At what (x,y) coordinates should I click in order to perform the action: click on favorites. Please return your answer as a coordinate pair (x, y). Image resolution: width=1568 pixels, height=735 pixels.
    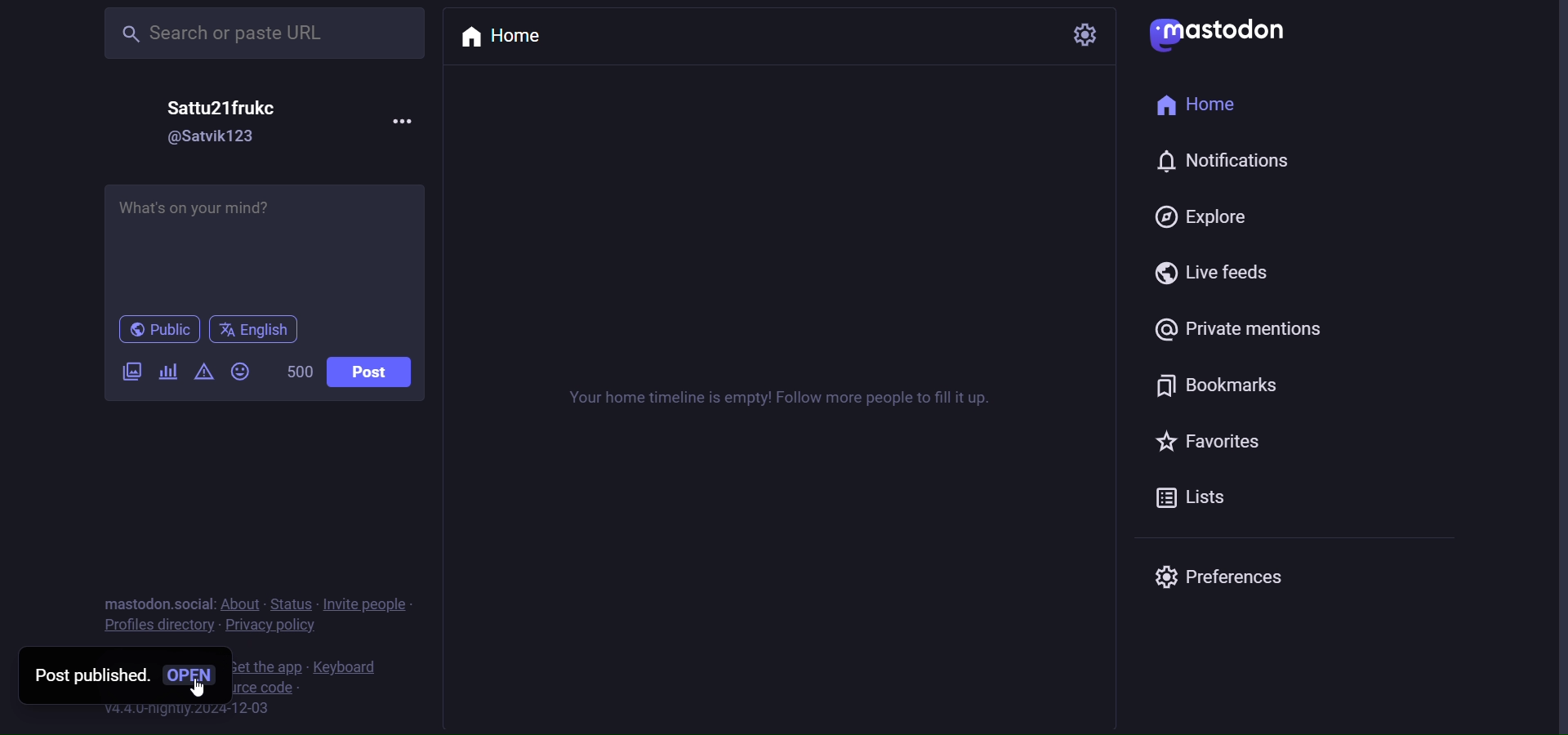
    Looking at the image, I should click on (1214, 443).